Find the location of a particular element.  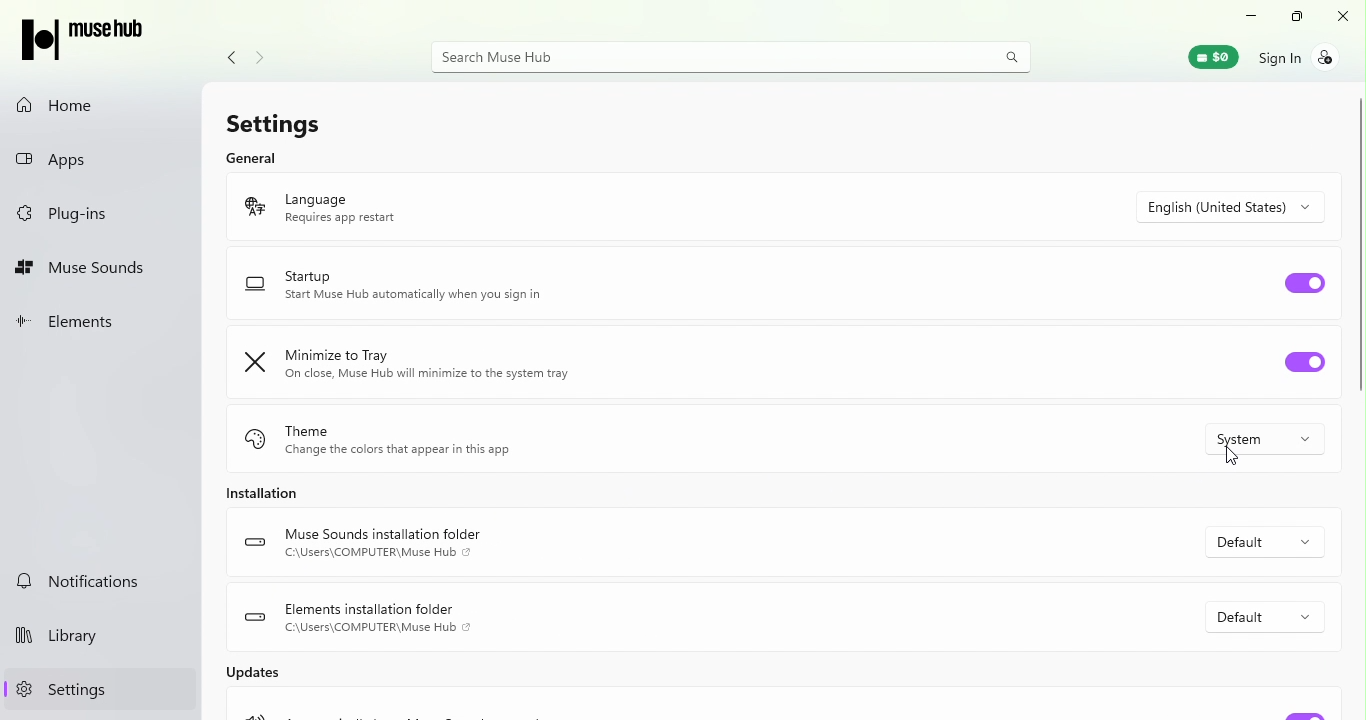

Plug-ins is located at coordinates (67, 214).